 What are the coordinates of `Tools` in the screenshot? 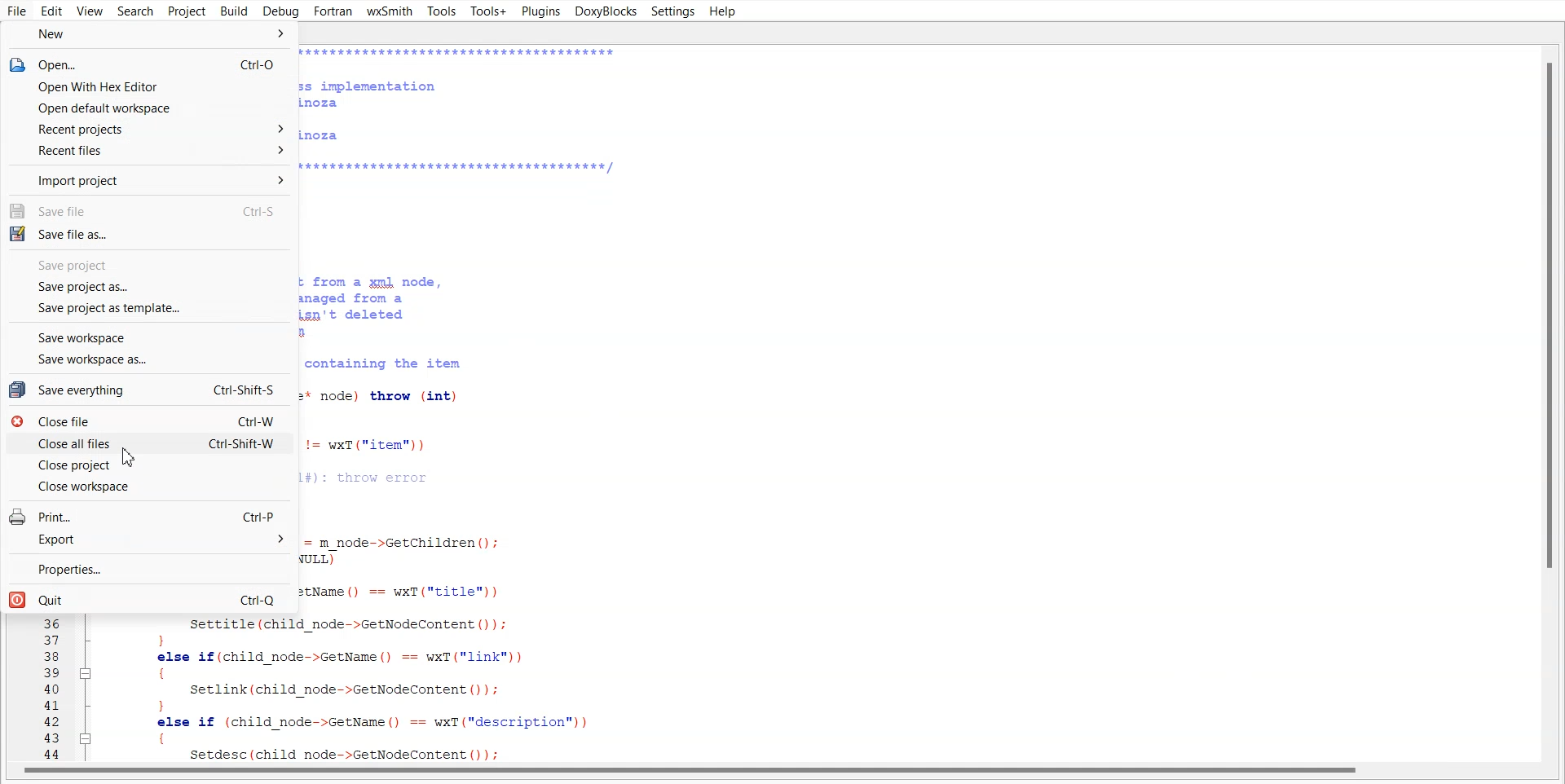 It's located at (441, 12).